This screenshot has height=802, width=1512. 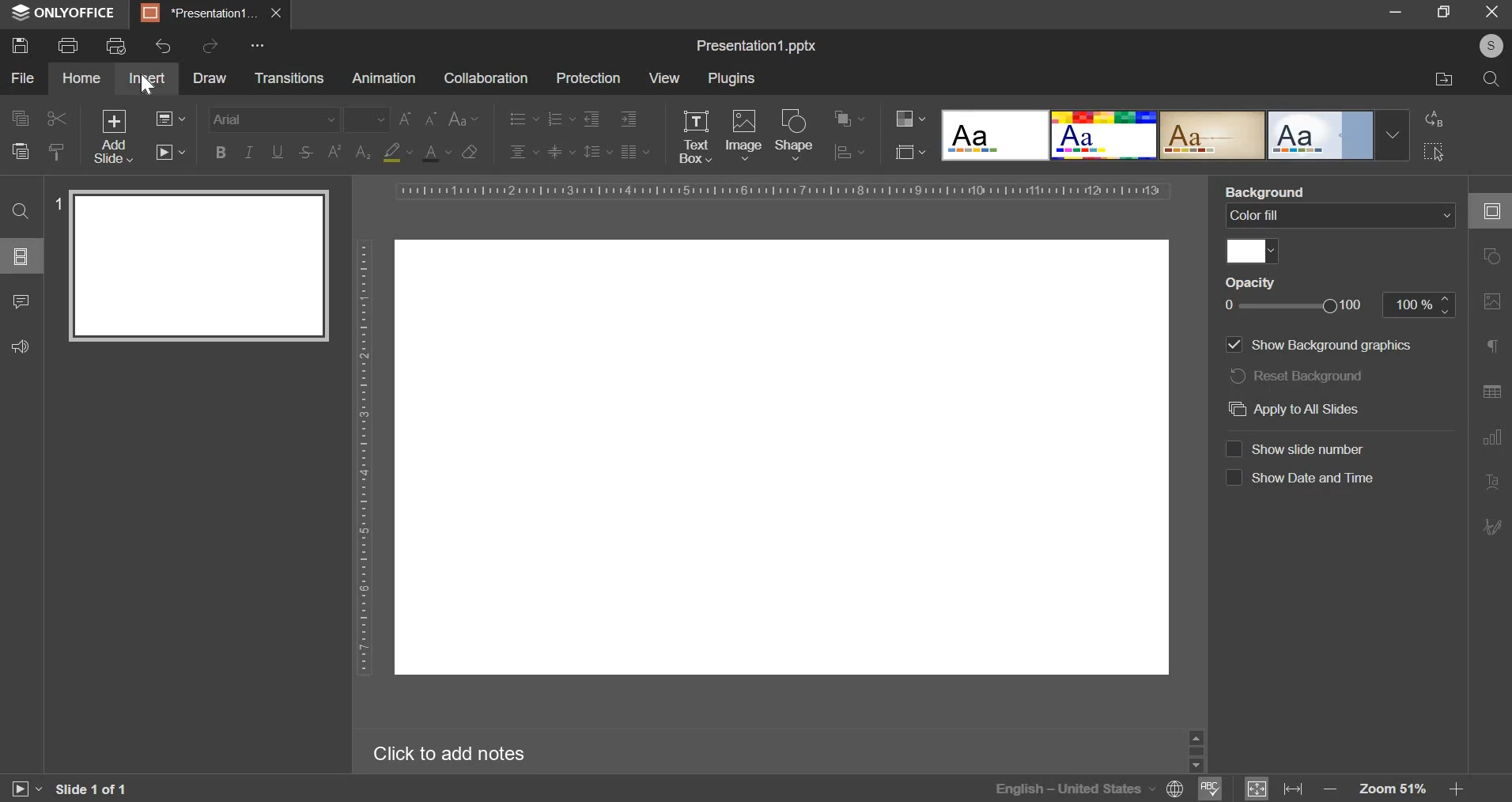 What do you see at coordinates (20, 46) in the screenshot?
I see `save` at bounding box center [20, 46].